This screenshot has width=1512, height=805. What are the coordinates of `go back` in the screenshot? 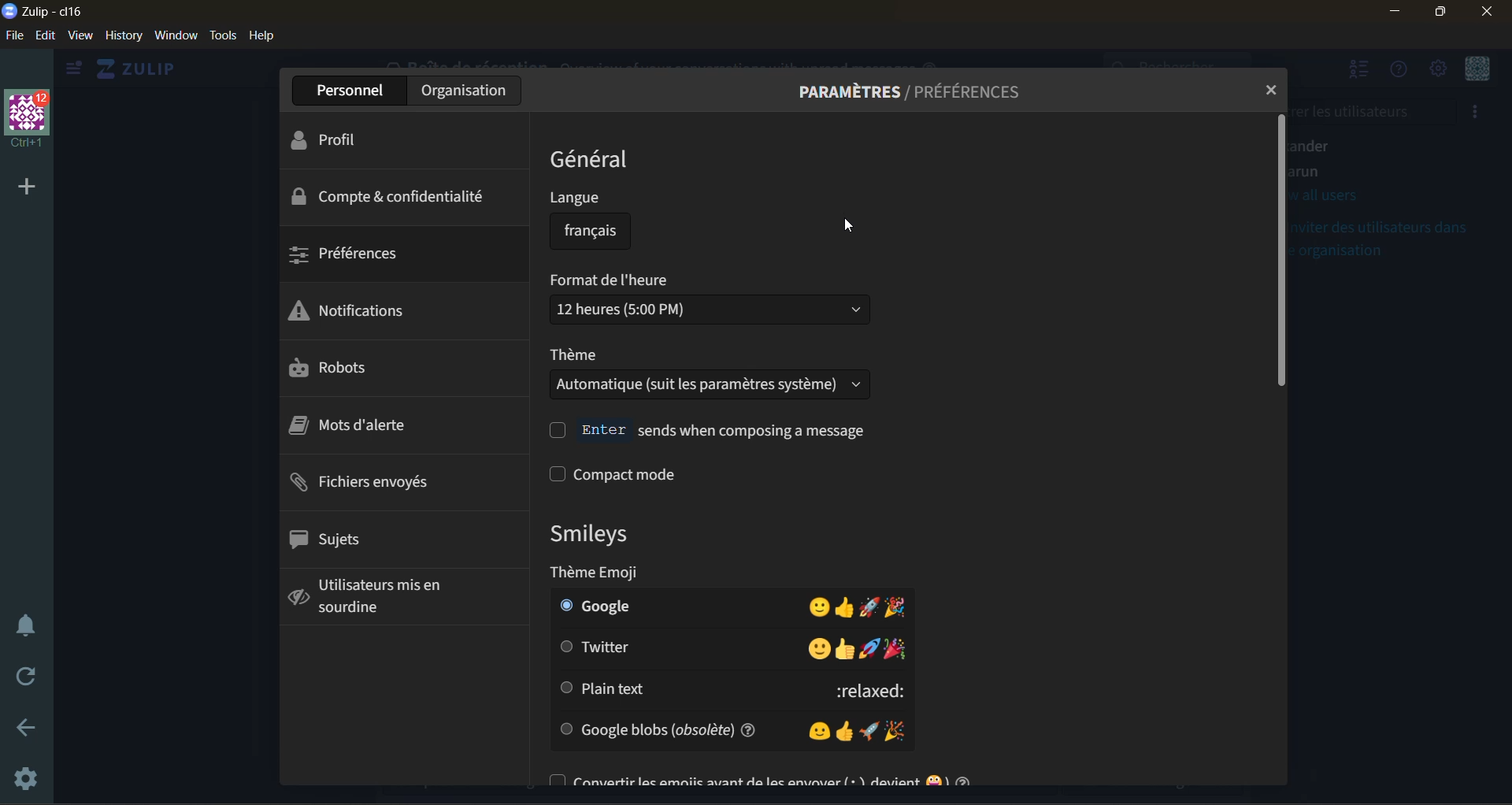 It's located at (31, 729).